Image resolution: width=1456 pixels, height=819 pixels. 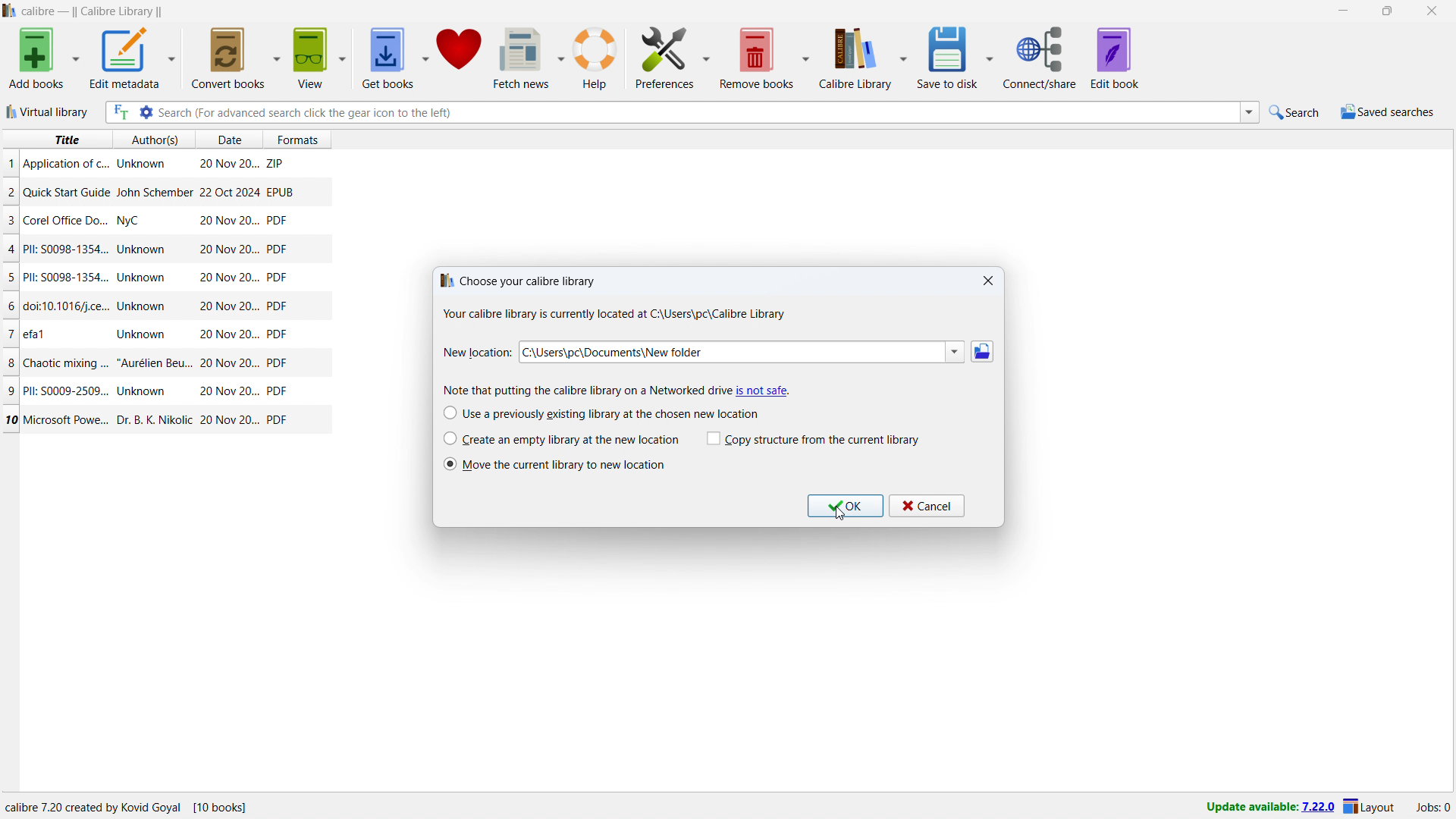 What do you see at coordinates (904, 59) in the screenshot?
I see `calibre library options` at bounding box center [904, 59].